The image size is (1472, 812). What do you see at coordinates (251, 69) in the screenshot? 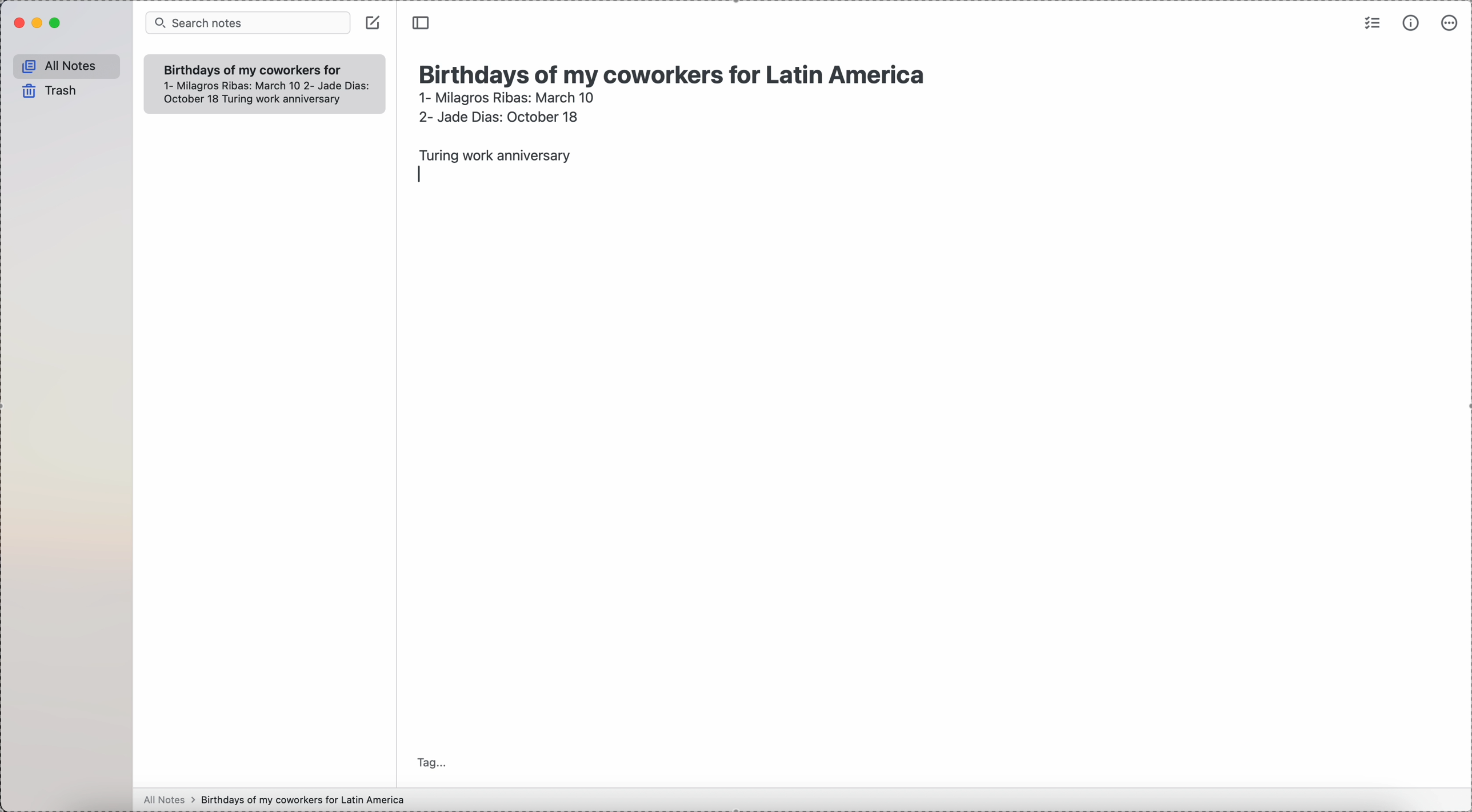
I see `Birthdays of my coworkers for Latin America` at bounding box center [251, 69].